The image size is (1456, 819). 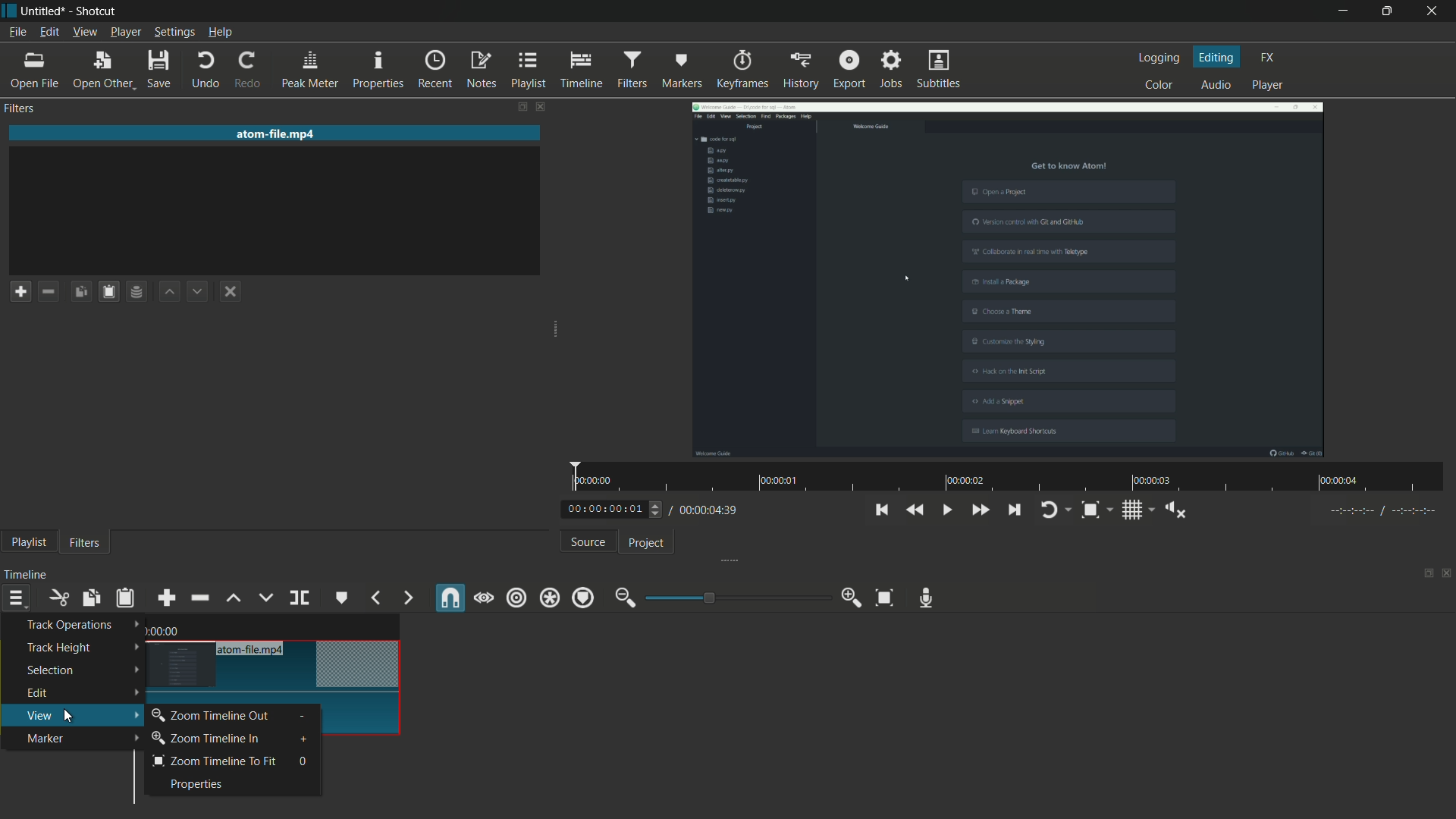 I want to click on marker, so click(x=80, y=738).